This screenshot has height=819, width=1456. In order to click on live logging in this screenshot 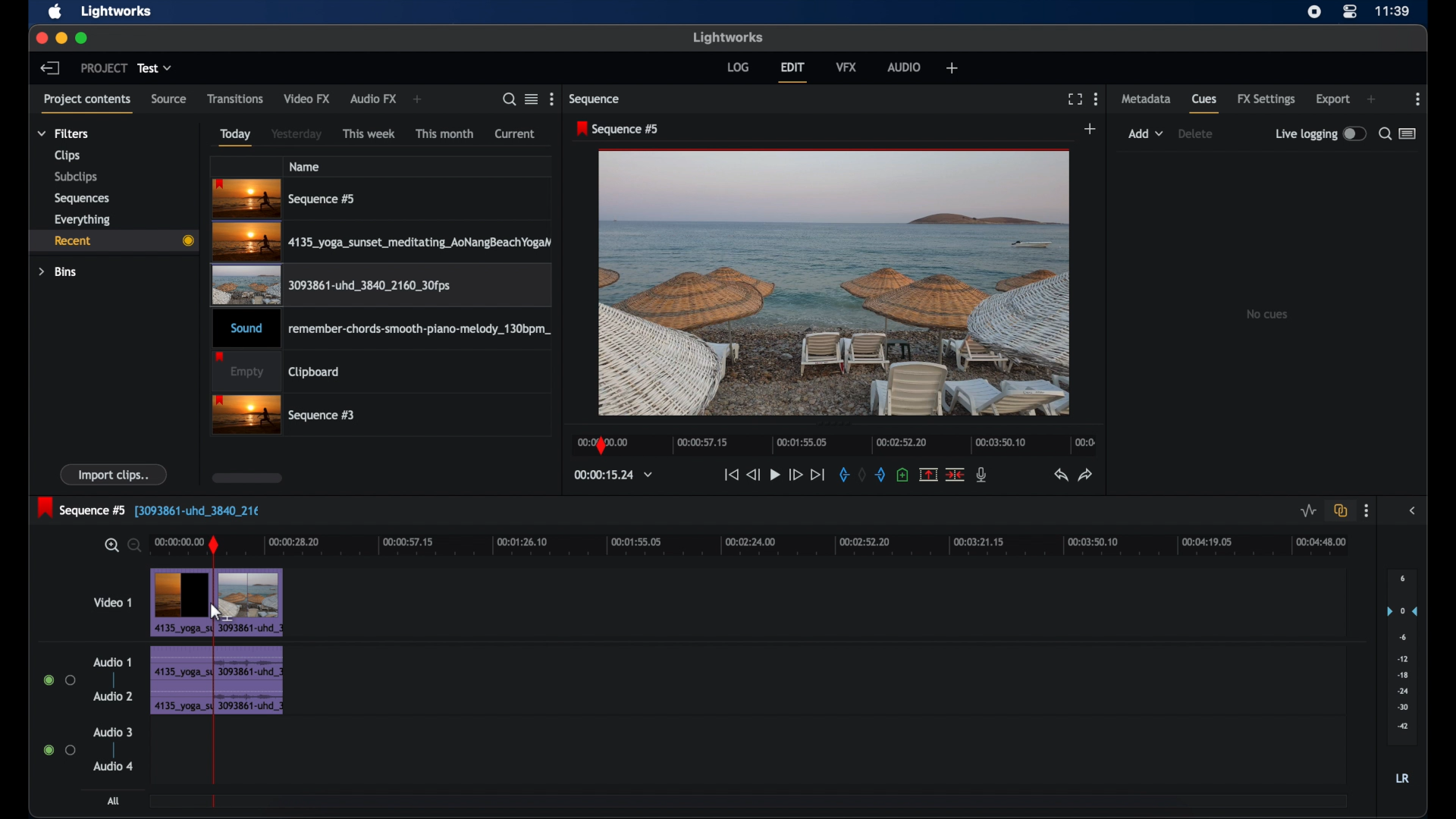, I will do `click(1321, 133)`.